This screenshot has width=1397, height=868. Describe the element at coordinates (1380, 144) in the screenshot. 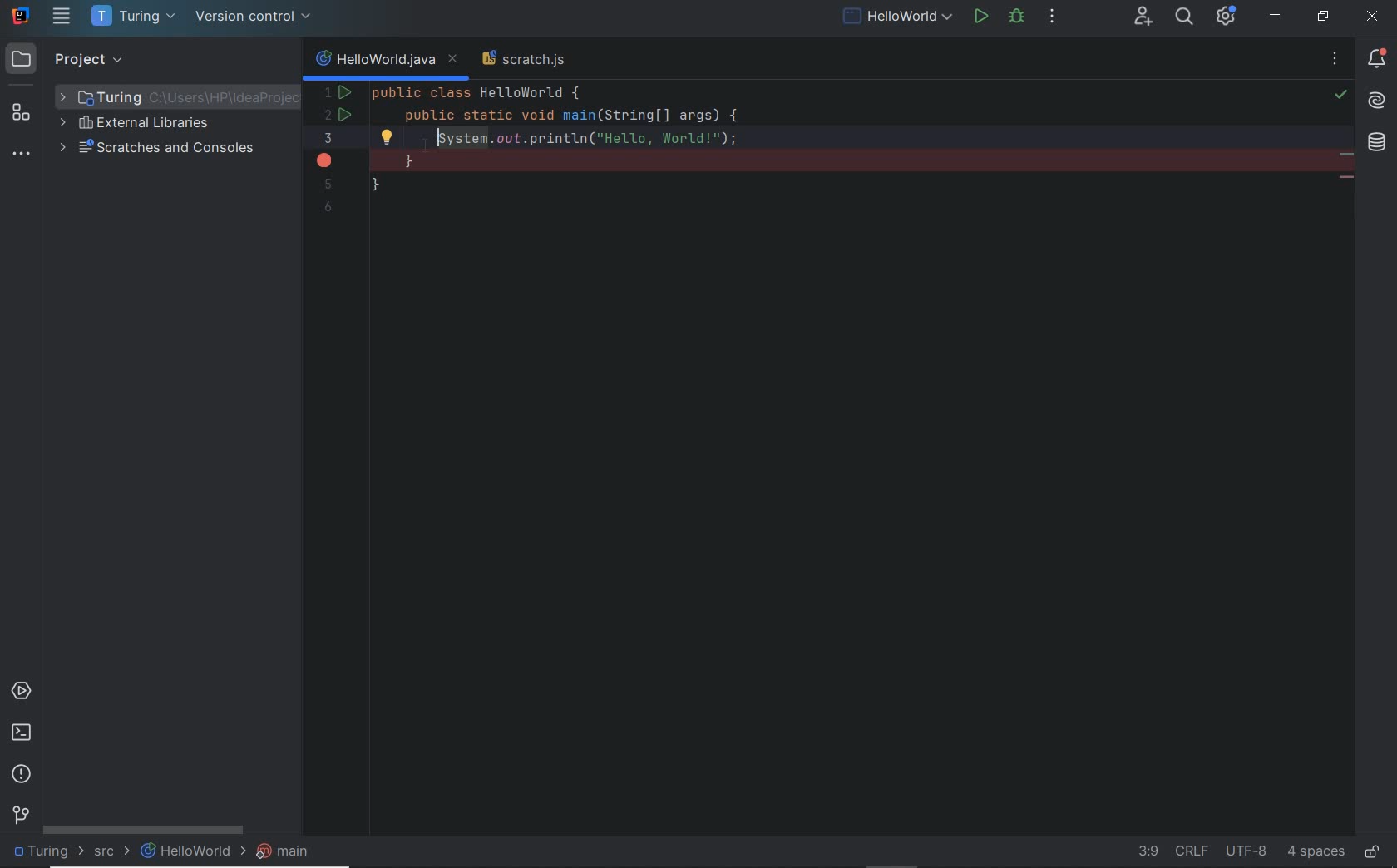

I see `database` at that location.